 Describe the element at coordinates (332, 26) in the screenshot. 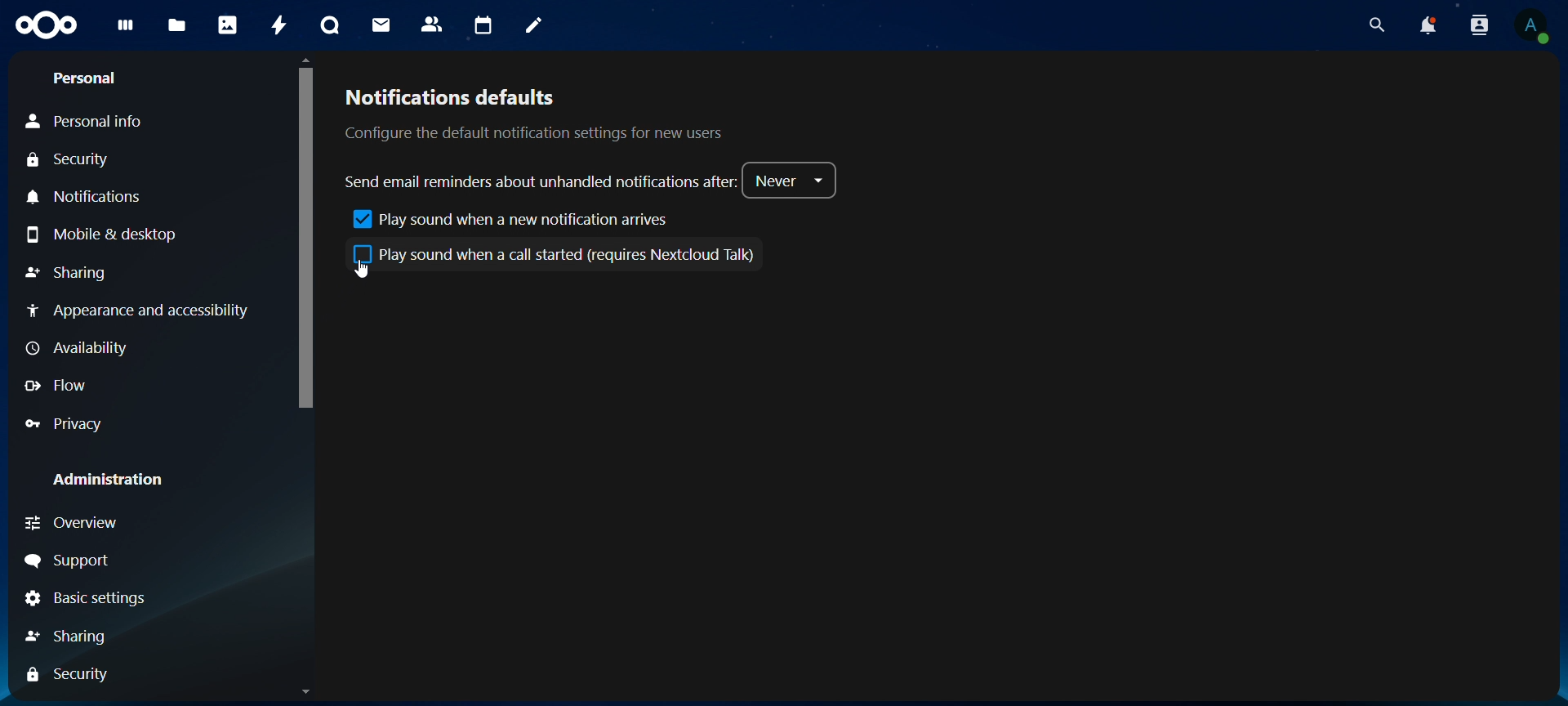

I see `talk` at that location.